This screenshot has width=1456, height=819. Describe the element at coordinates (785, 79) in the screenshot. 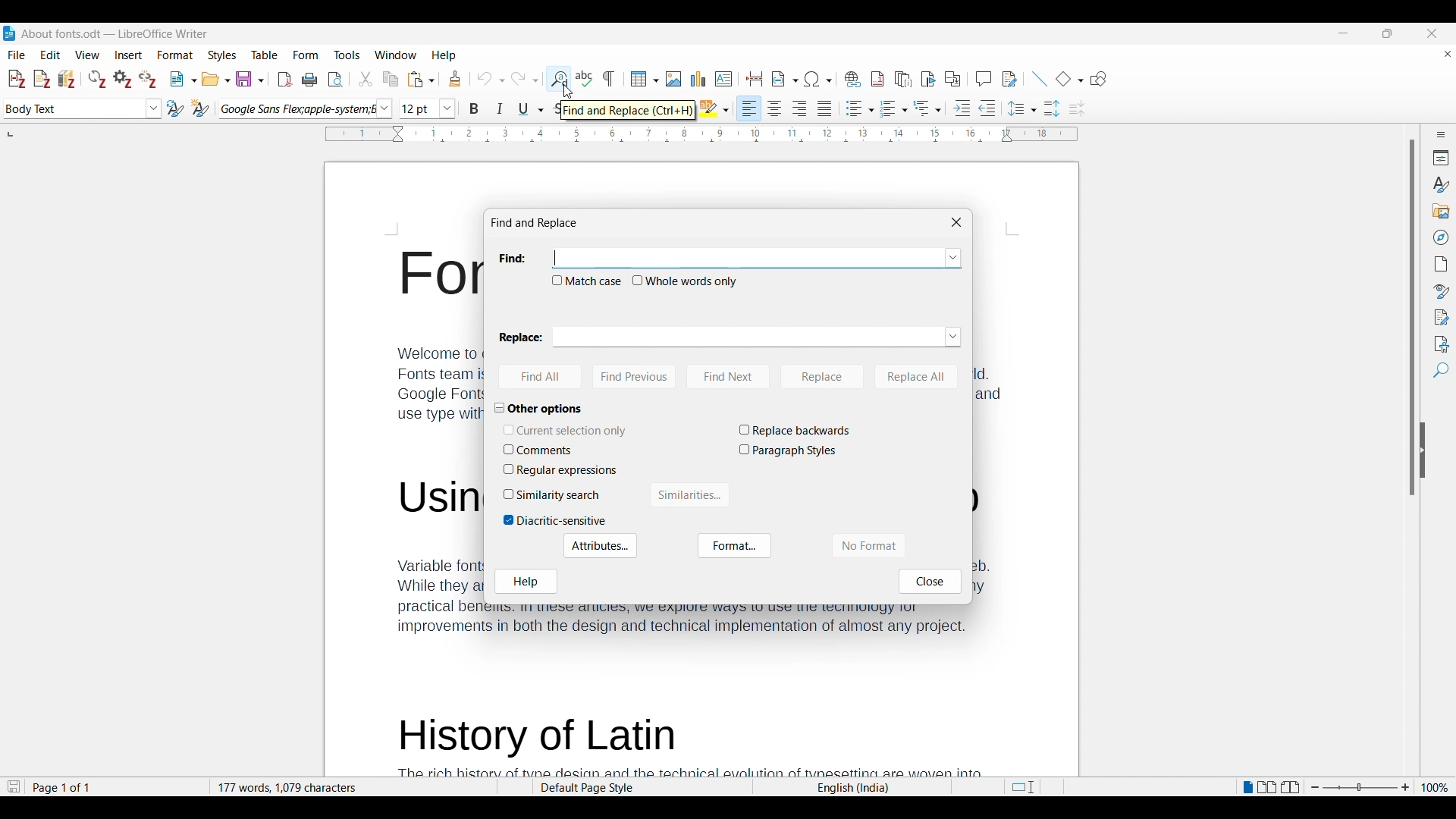

I see `Insert field options` at that location.